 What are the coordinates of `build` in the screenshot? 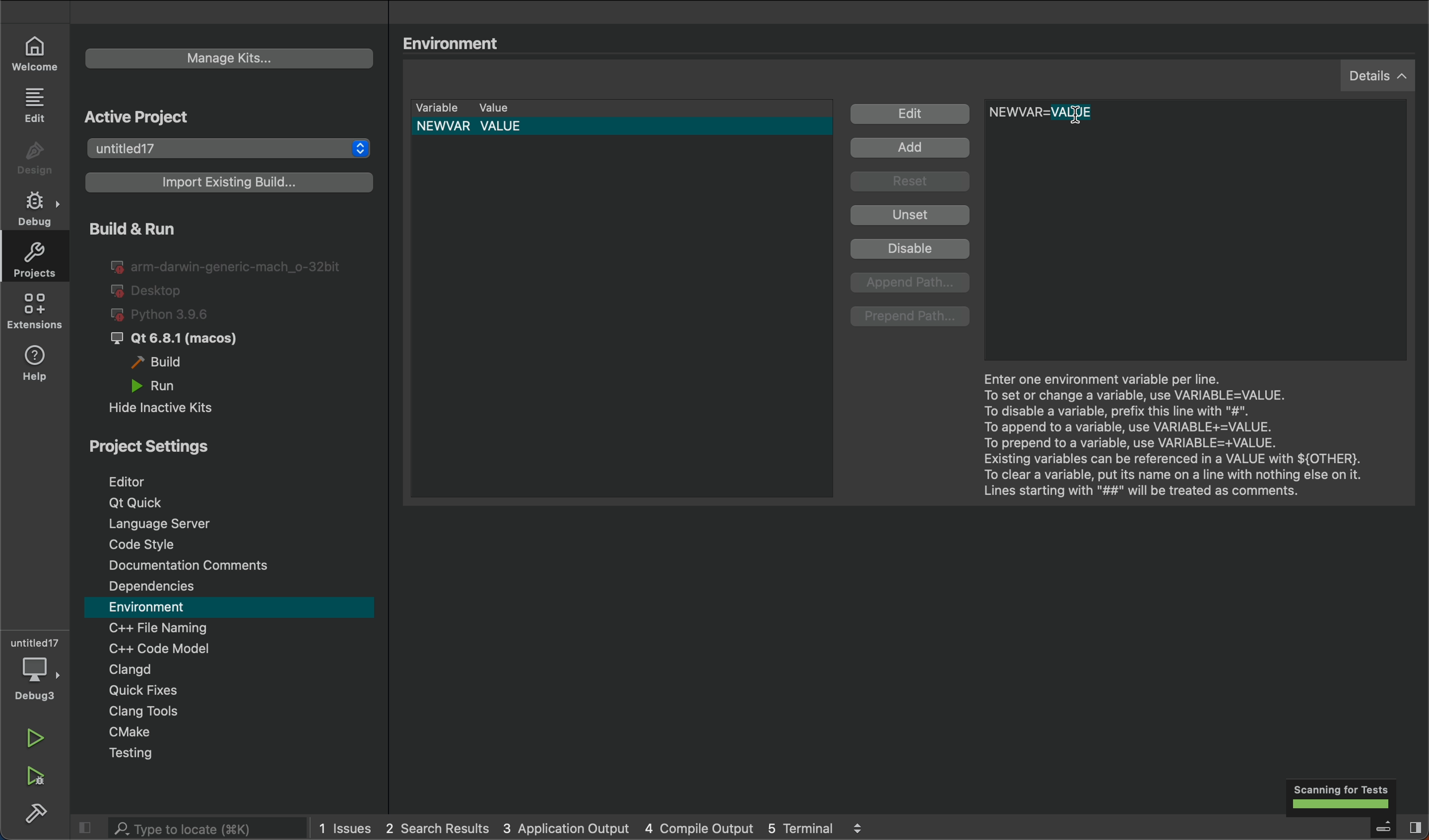 It's located at (166, 363).